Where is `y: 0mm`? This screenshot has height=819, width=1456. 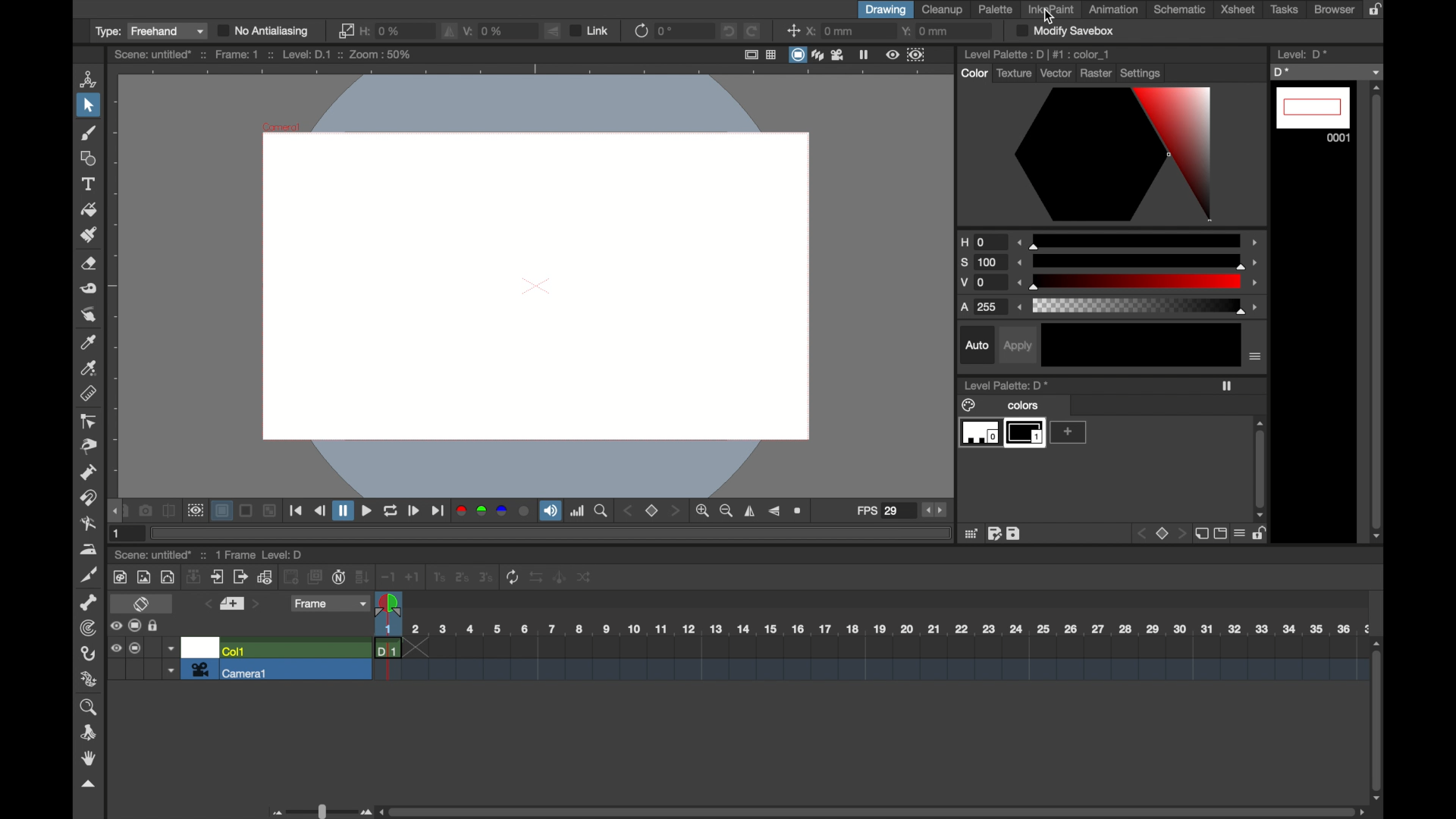
y: 0mm is located at coordinates (927, 32).